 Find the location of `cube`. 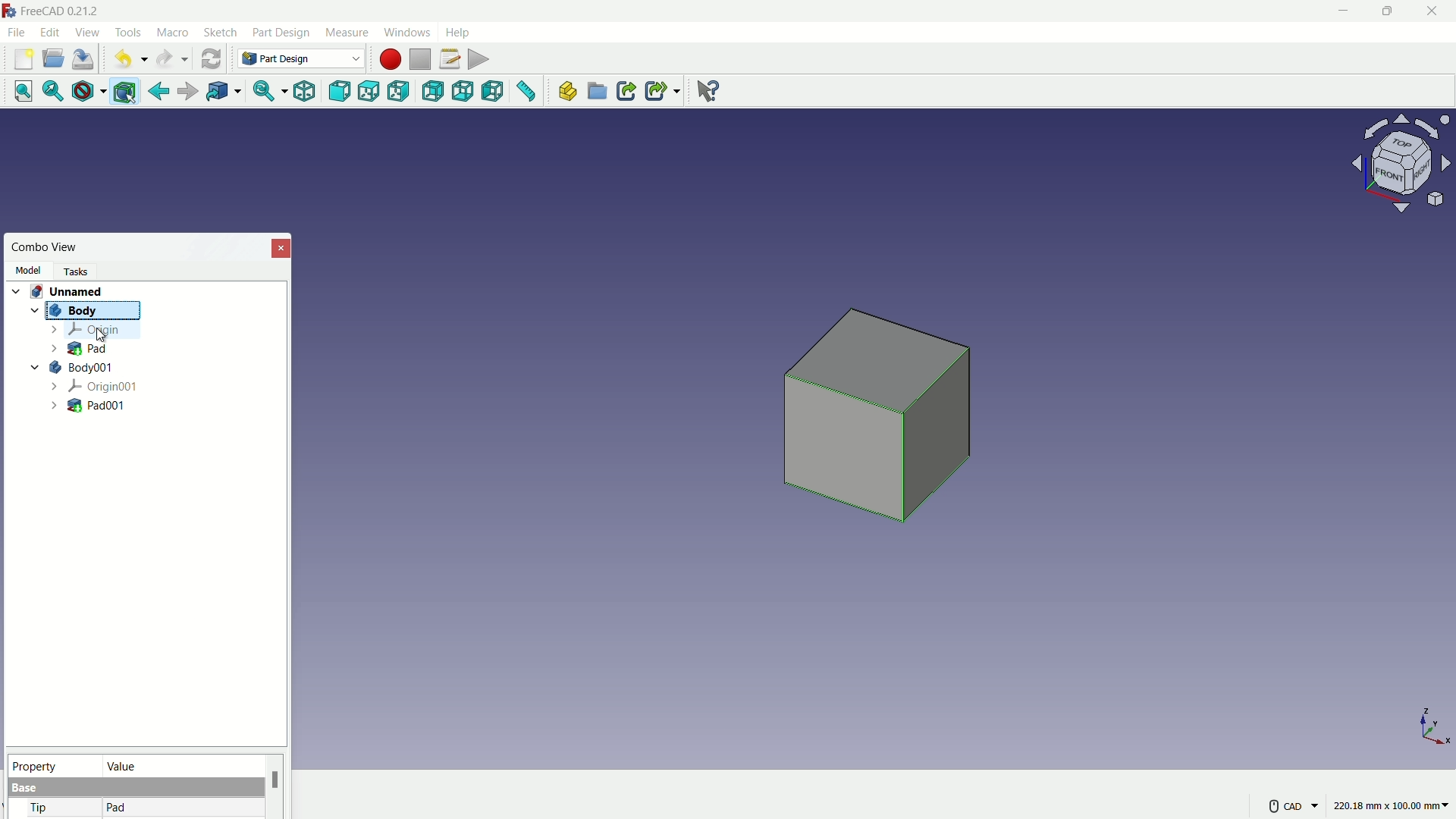

cube is located at coordinates (882, 423).